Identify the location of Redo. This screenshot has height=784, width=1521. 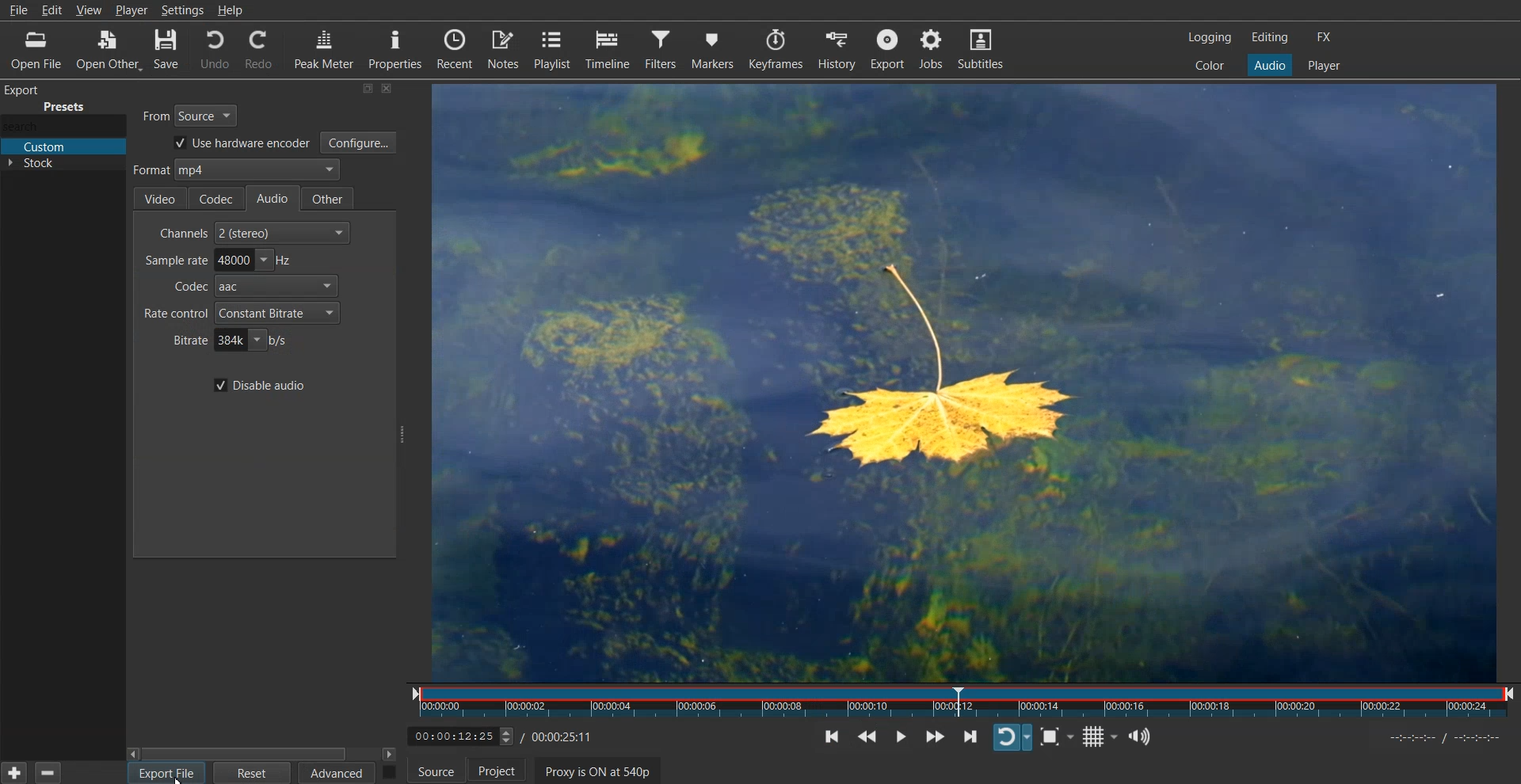
(257, 49).